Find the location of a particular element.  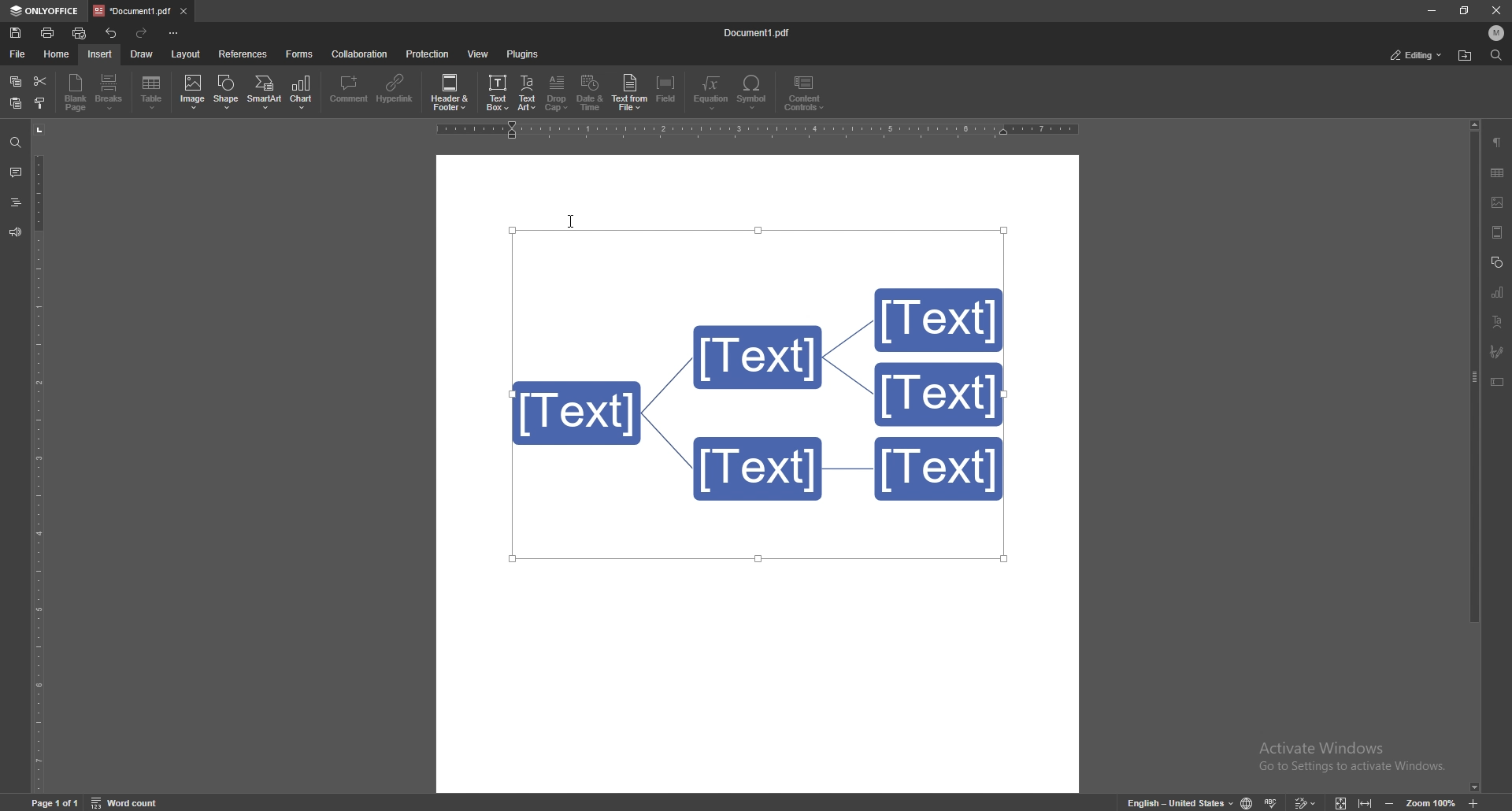

text art is located at coordinates (528, 93).